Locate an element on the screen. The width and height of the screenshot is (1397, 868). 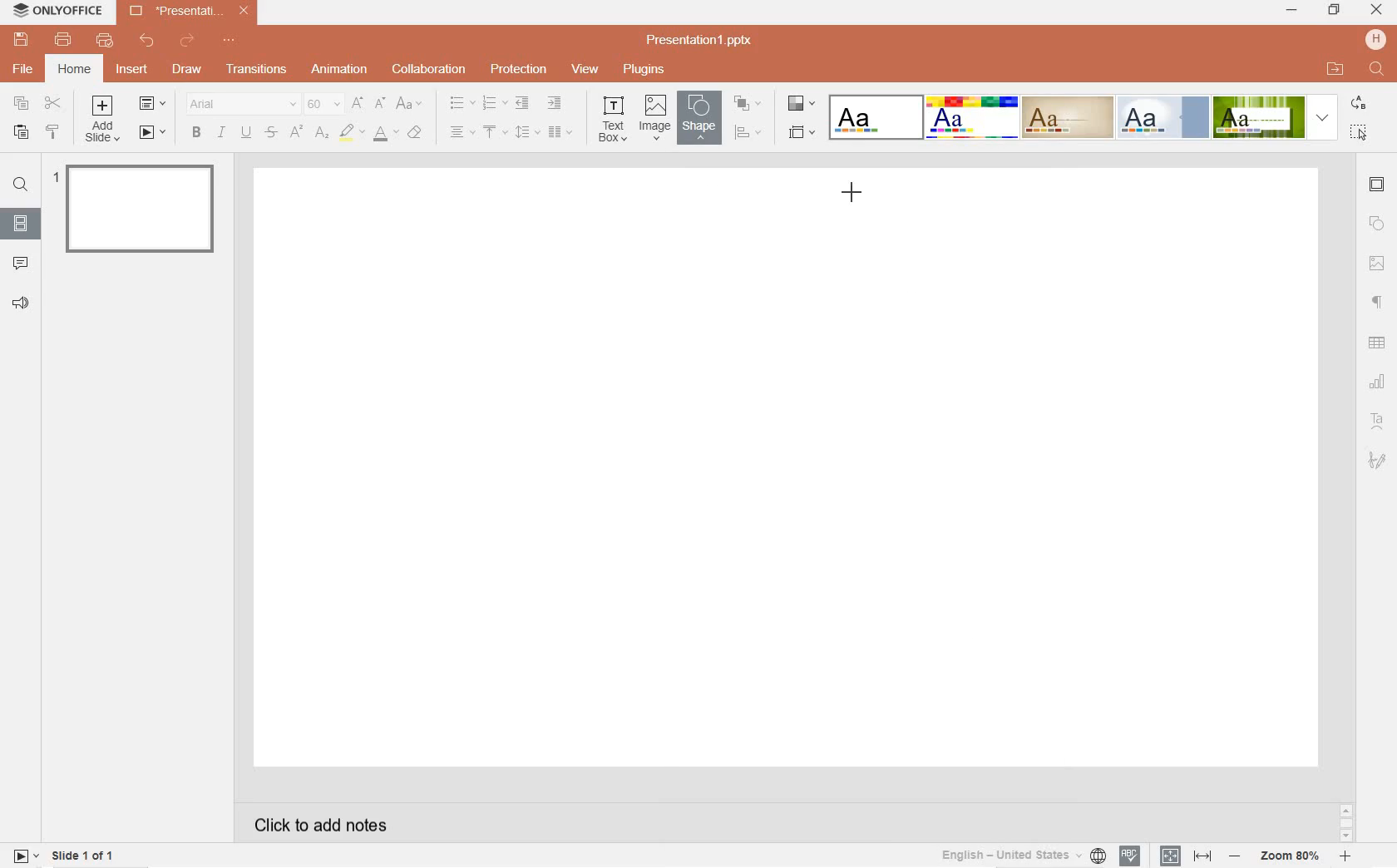
copy is located at coordinates (22, 103).